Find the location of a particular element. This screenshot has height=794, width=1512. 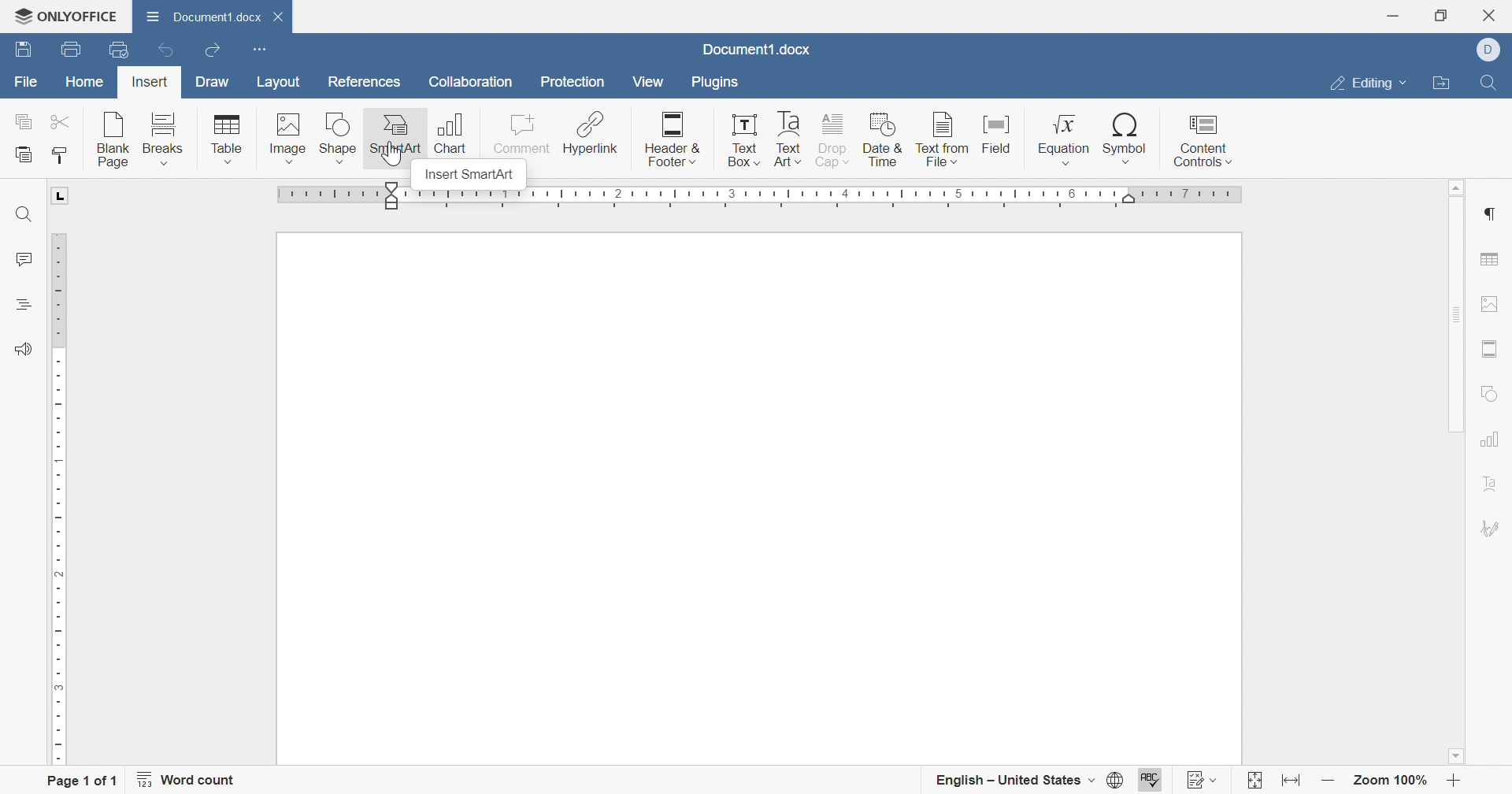

Word count is located at coordinates (187, 780).